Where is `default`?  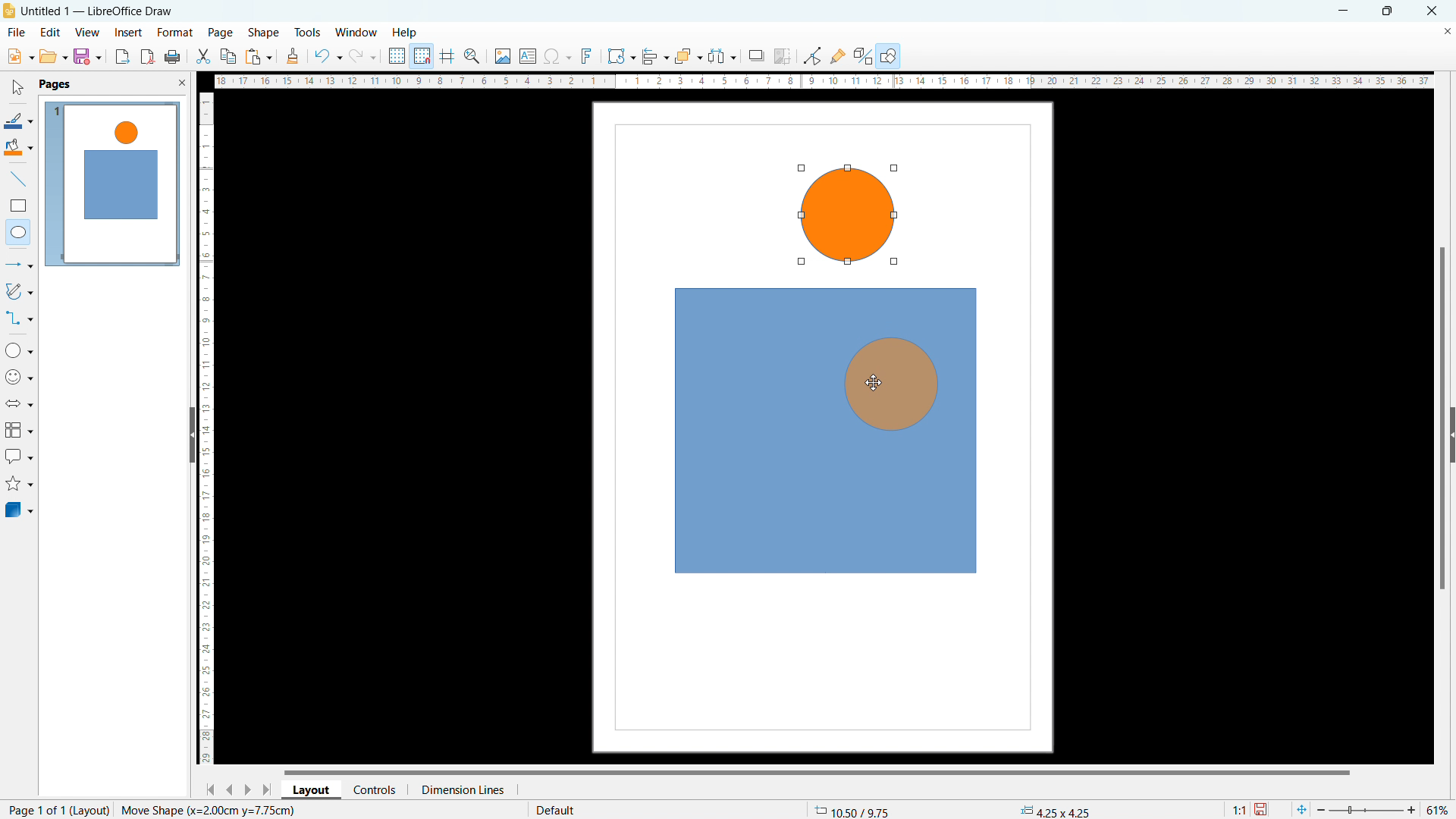
default is located at coordinates (554, 809).